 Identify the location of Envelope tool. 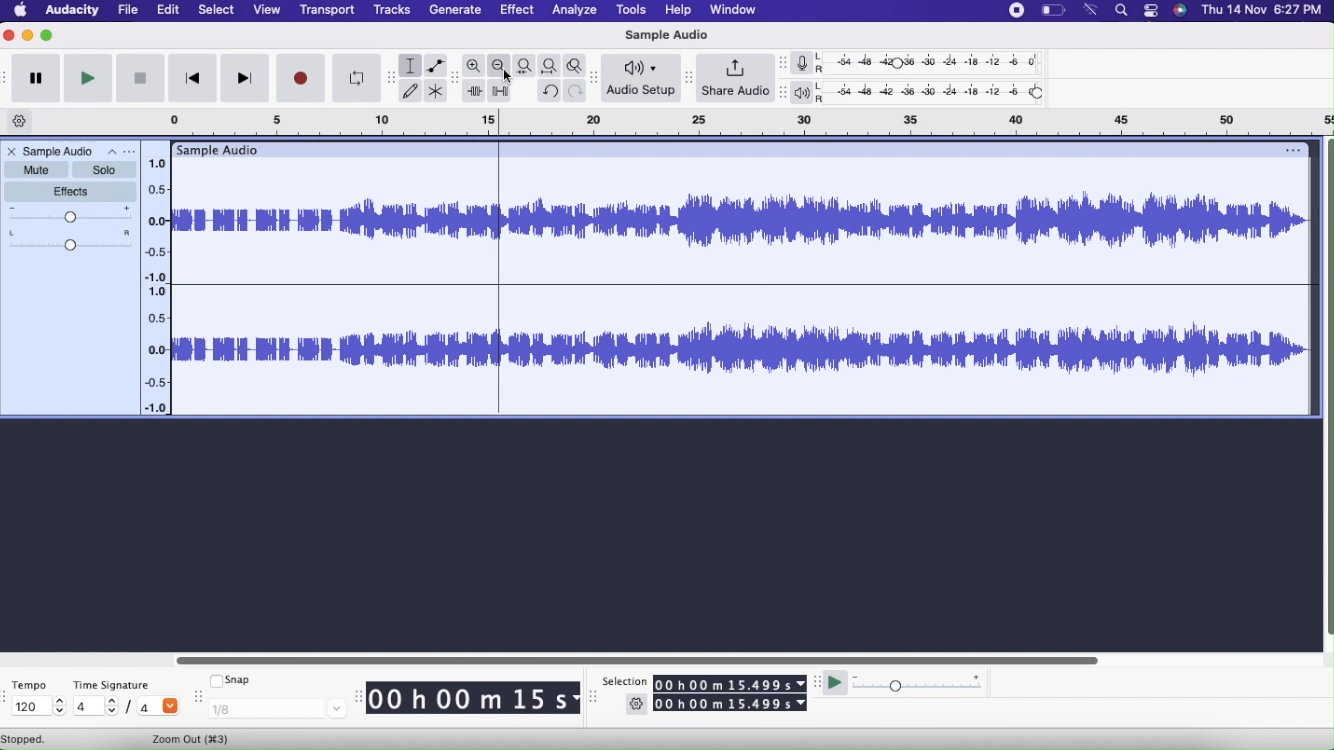
(437, 65).